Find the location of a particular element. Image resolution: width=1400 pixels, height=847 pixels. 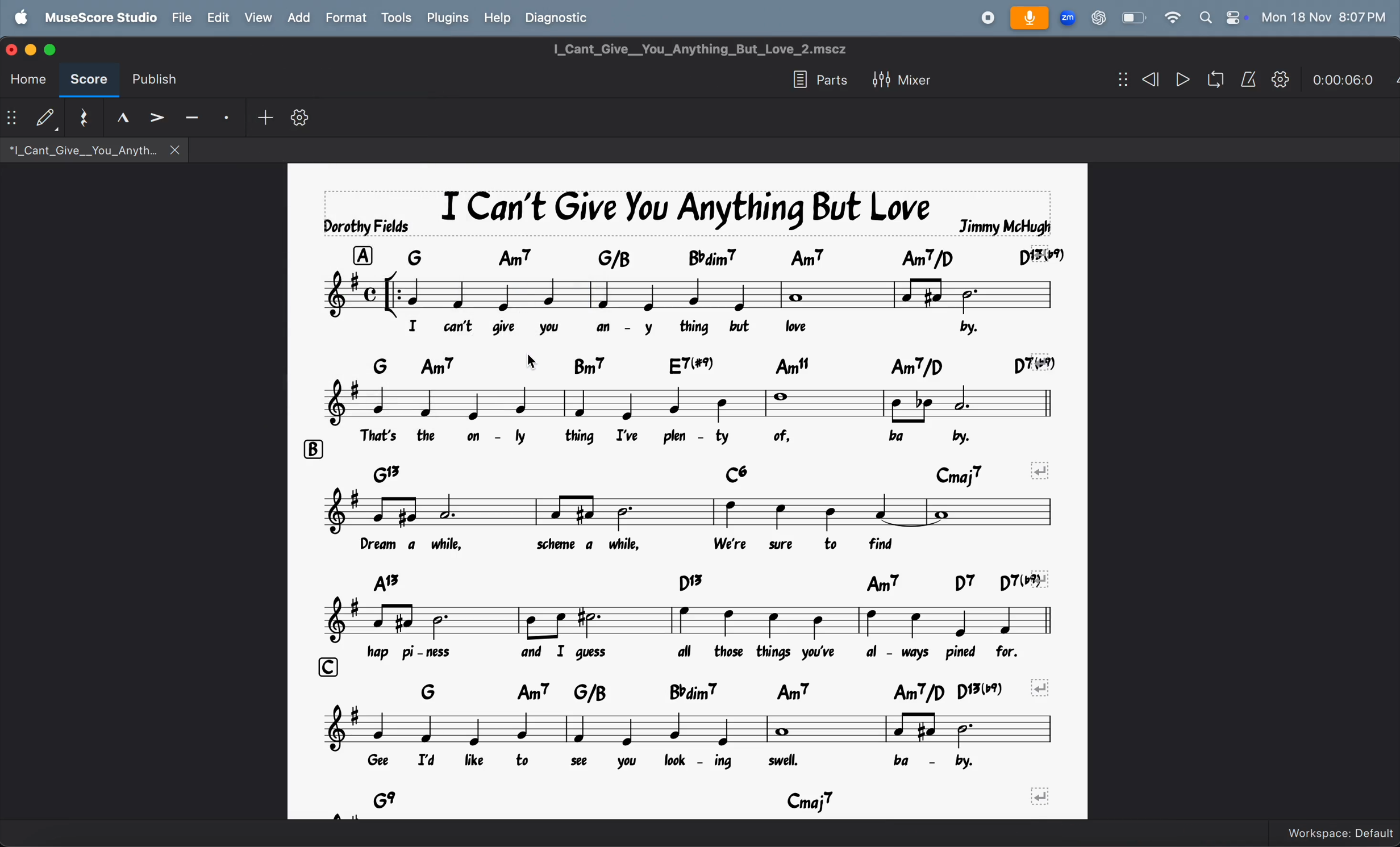

chatgpt is located at coordinates (1098, 18).